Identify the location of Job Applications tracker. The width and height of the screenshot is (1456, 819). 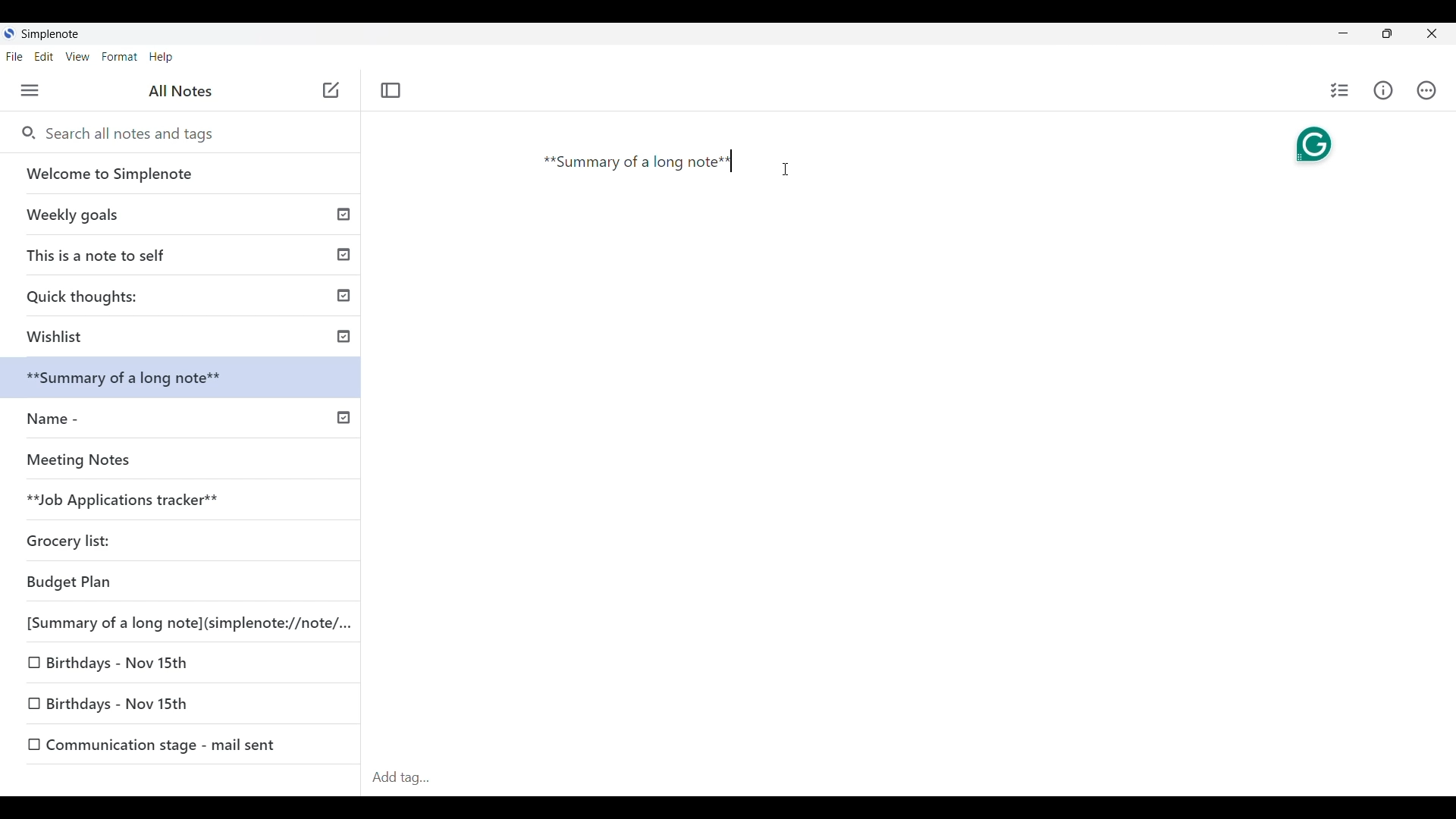
(118, 500).